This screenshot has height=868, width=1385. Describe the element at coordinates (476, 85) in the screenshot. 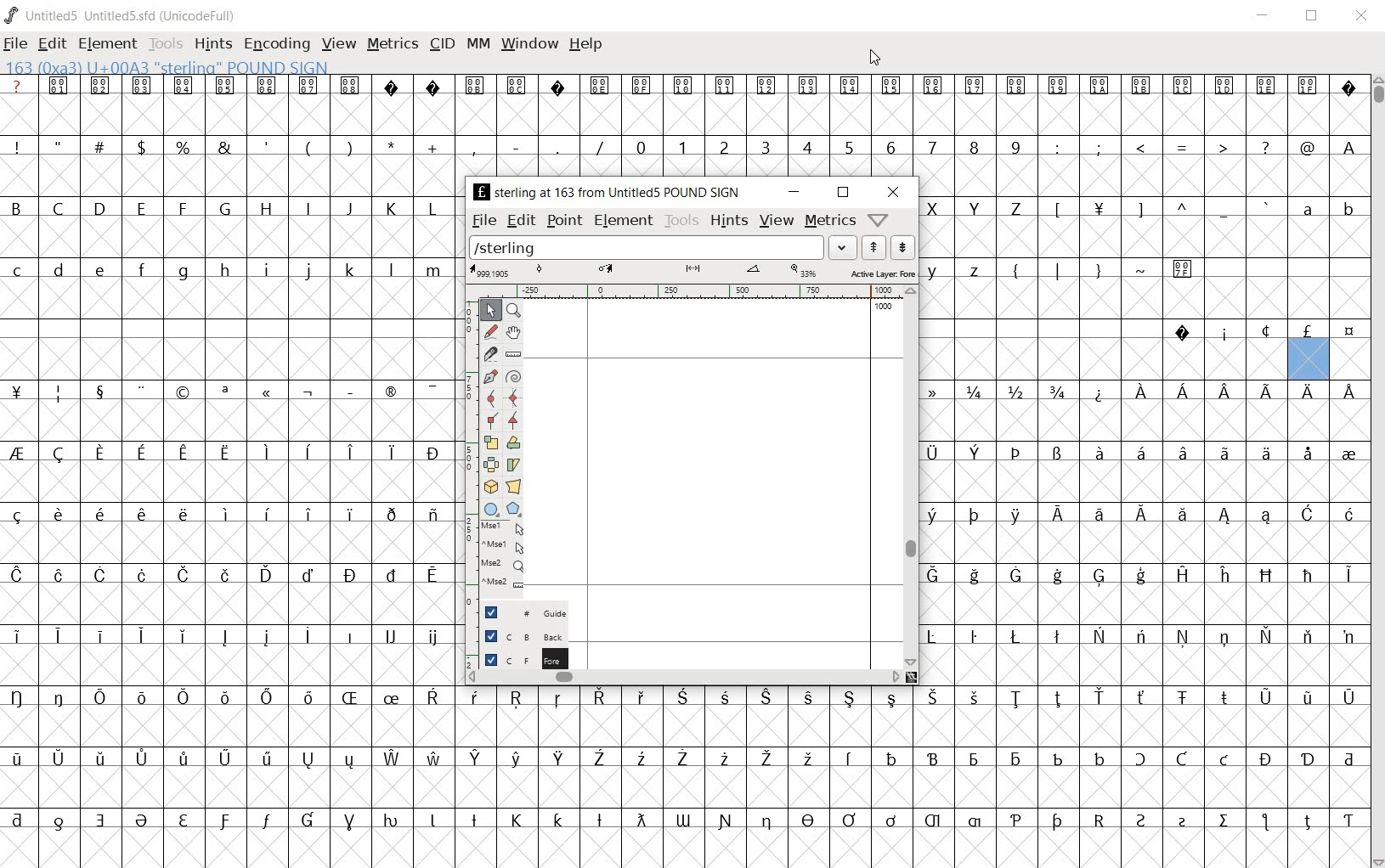

I see `Symbol` at that location.